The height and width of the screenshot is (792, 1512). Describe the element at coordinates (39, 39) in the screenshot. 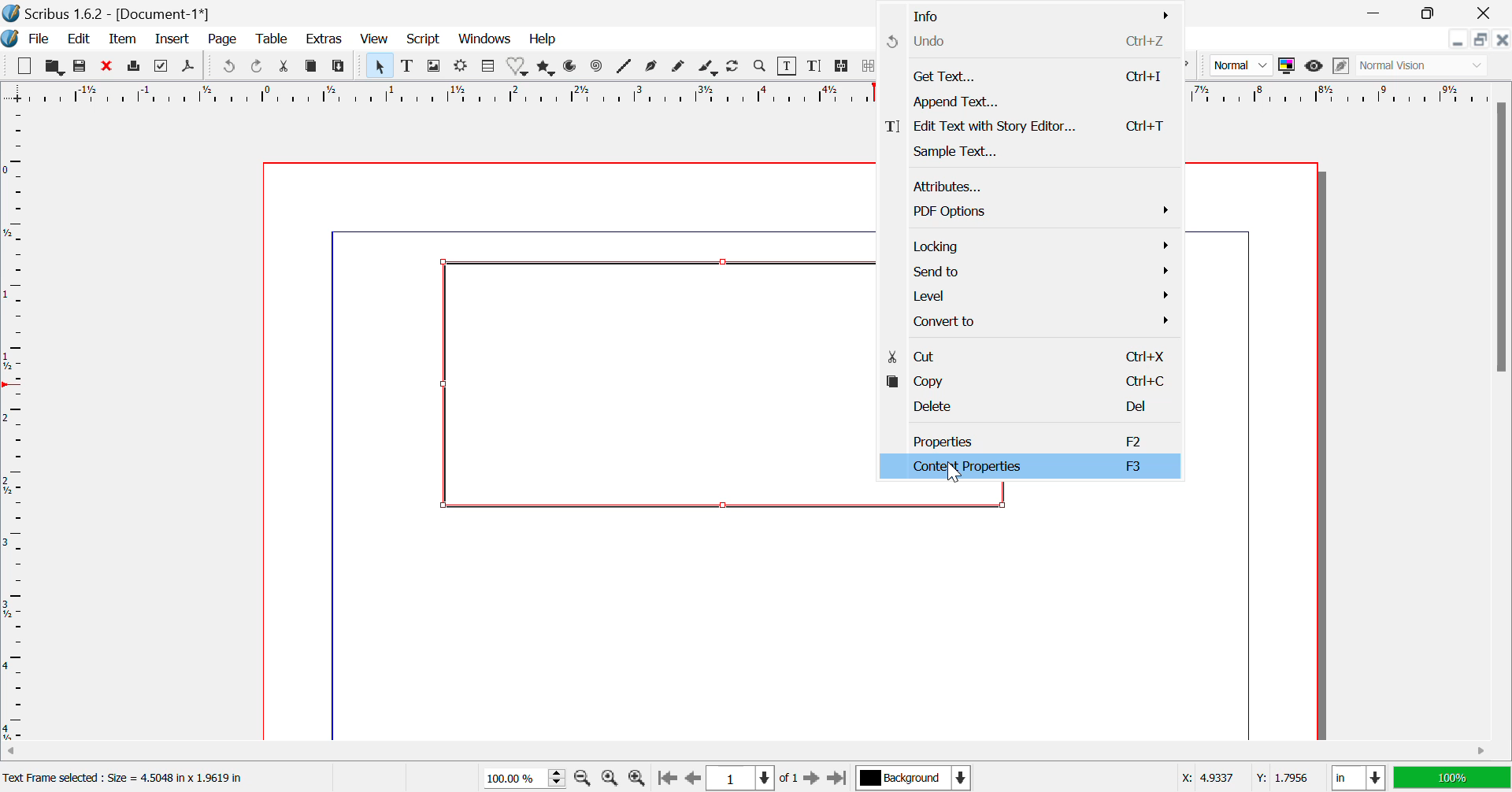

I see `File` at that location.